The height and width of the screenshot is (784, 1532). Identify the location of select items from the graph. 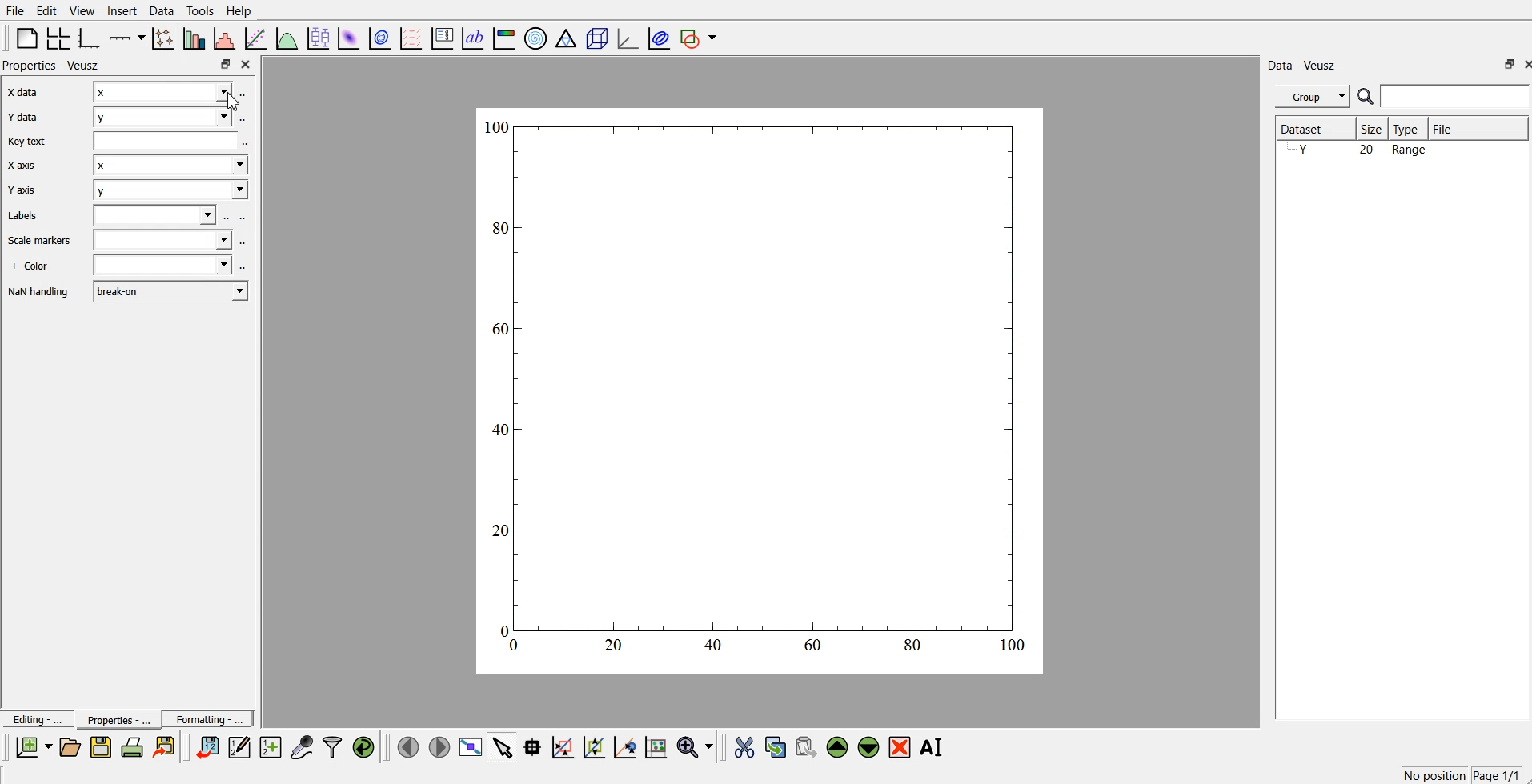
(505, 746).